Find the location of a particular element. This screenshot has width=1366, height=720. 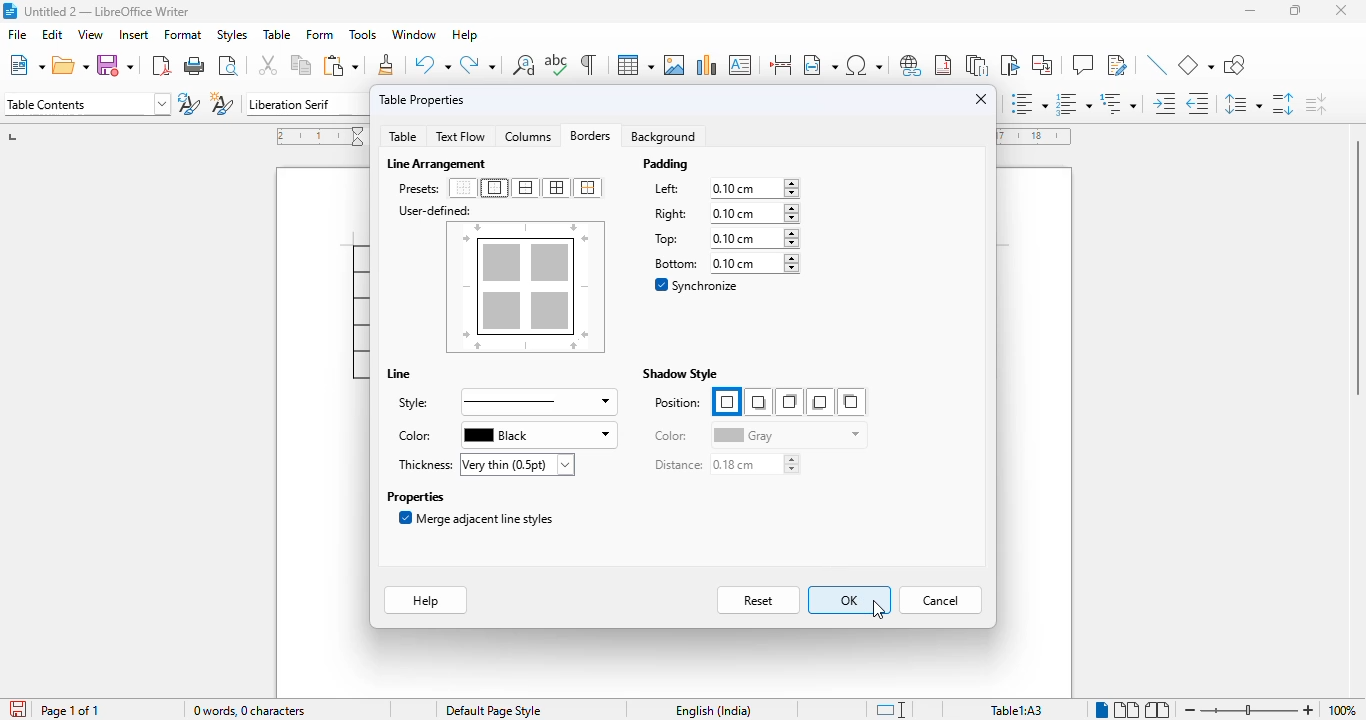

basic shapes is located at coordinates (1196, 65).